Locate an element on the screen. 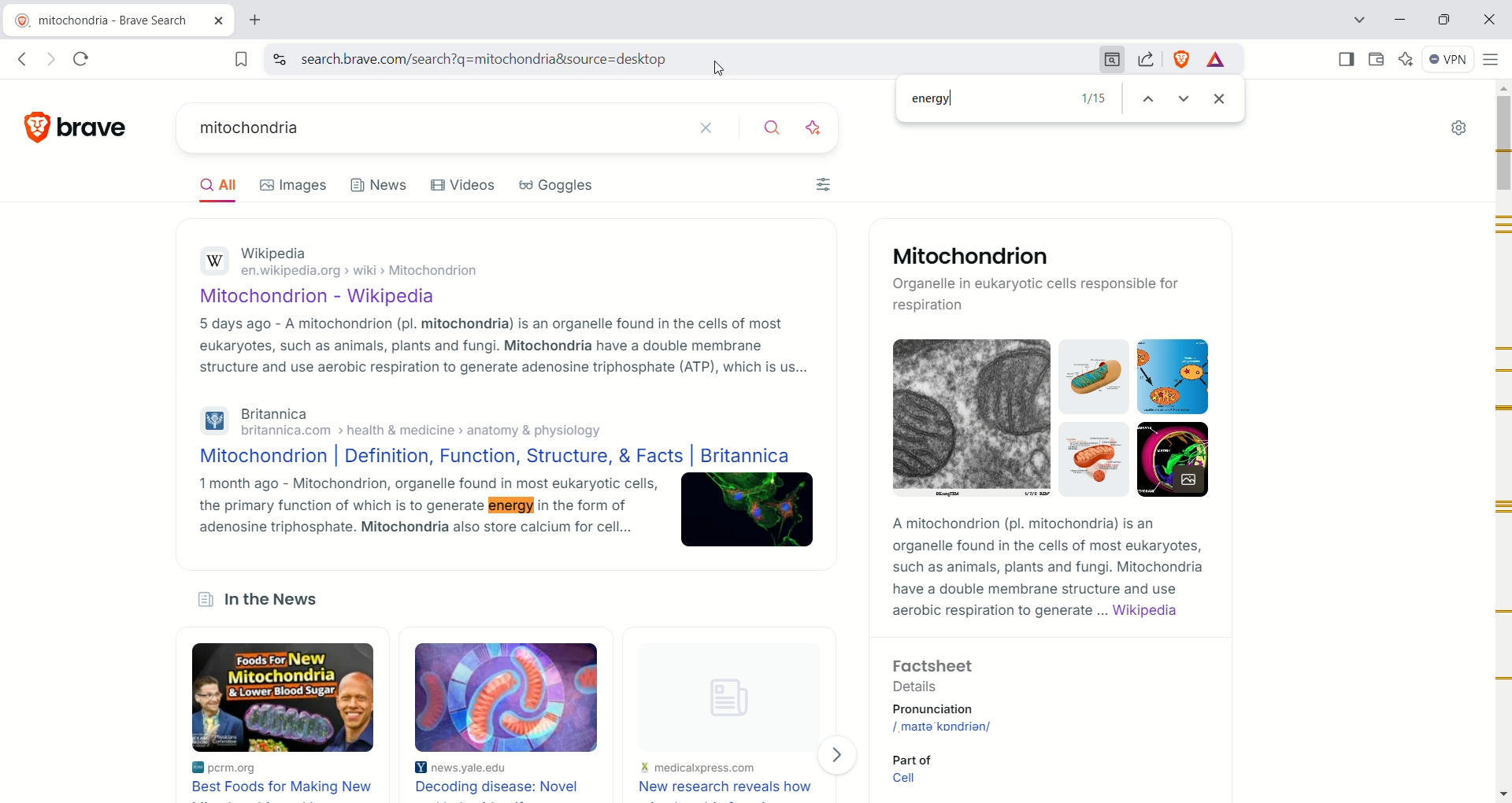  wallet is located at coordinates (1377, 61).